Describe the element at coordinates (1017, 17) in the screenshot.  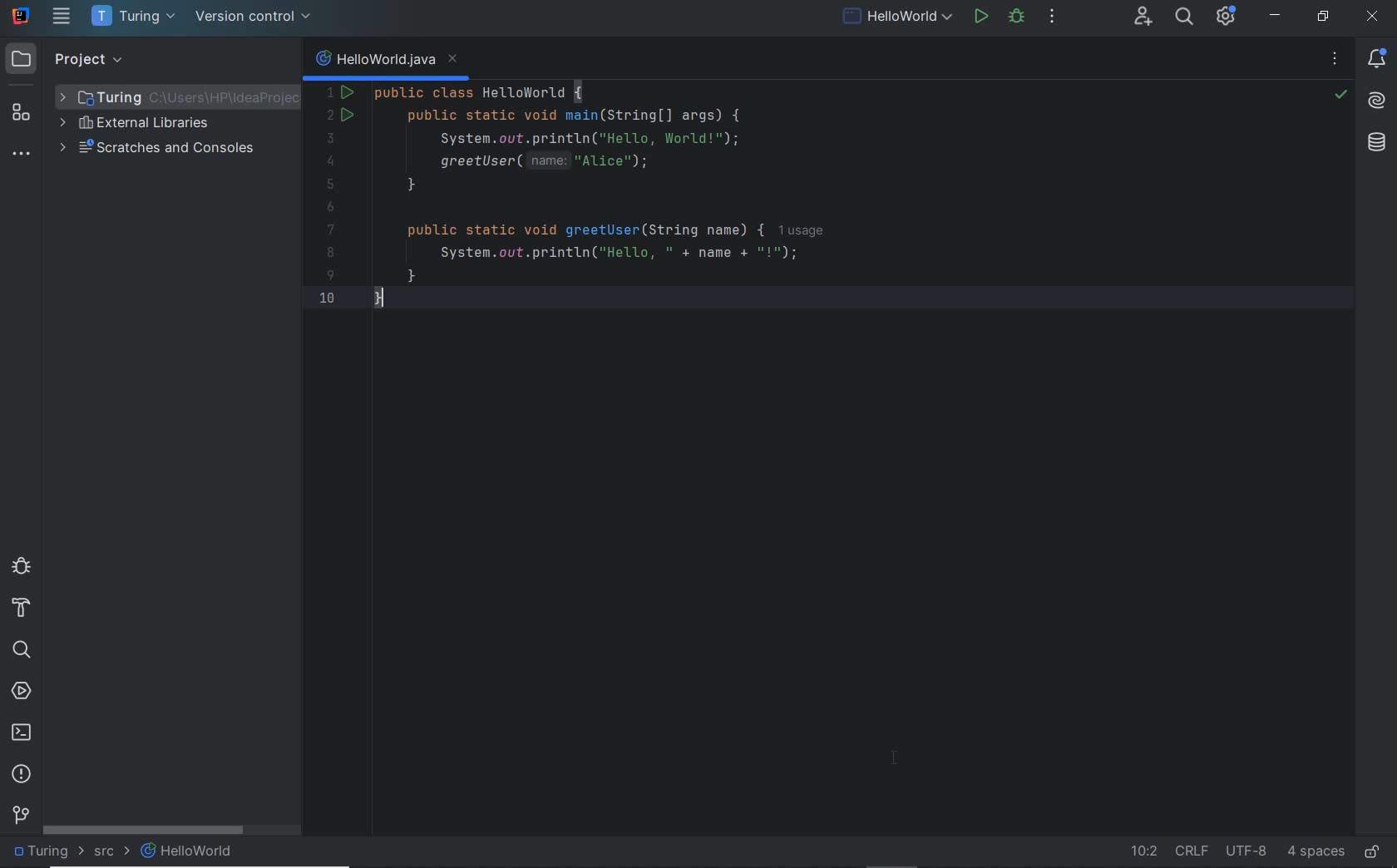
I see `debug` at that location.